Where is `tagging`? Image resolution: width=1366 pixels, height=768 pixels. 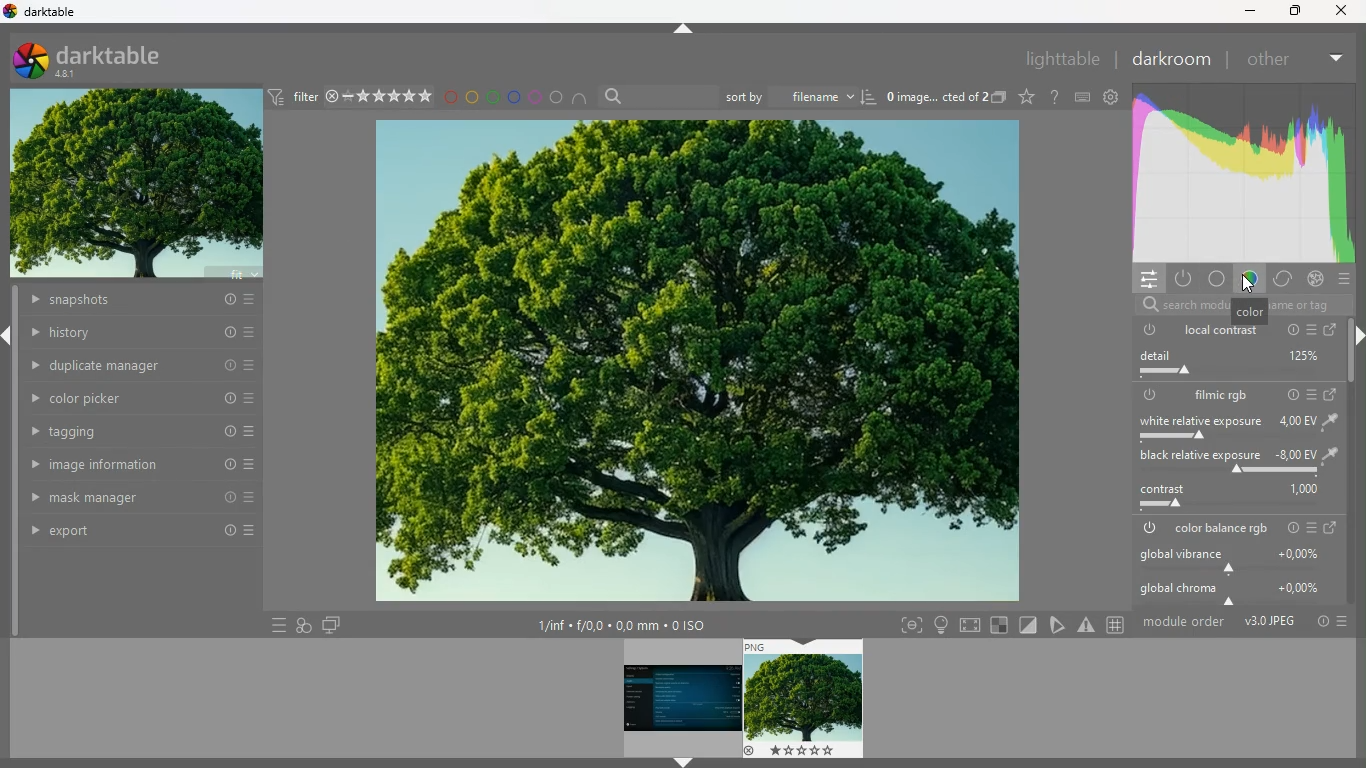
tagging is located at coordinates (143, 432).